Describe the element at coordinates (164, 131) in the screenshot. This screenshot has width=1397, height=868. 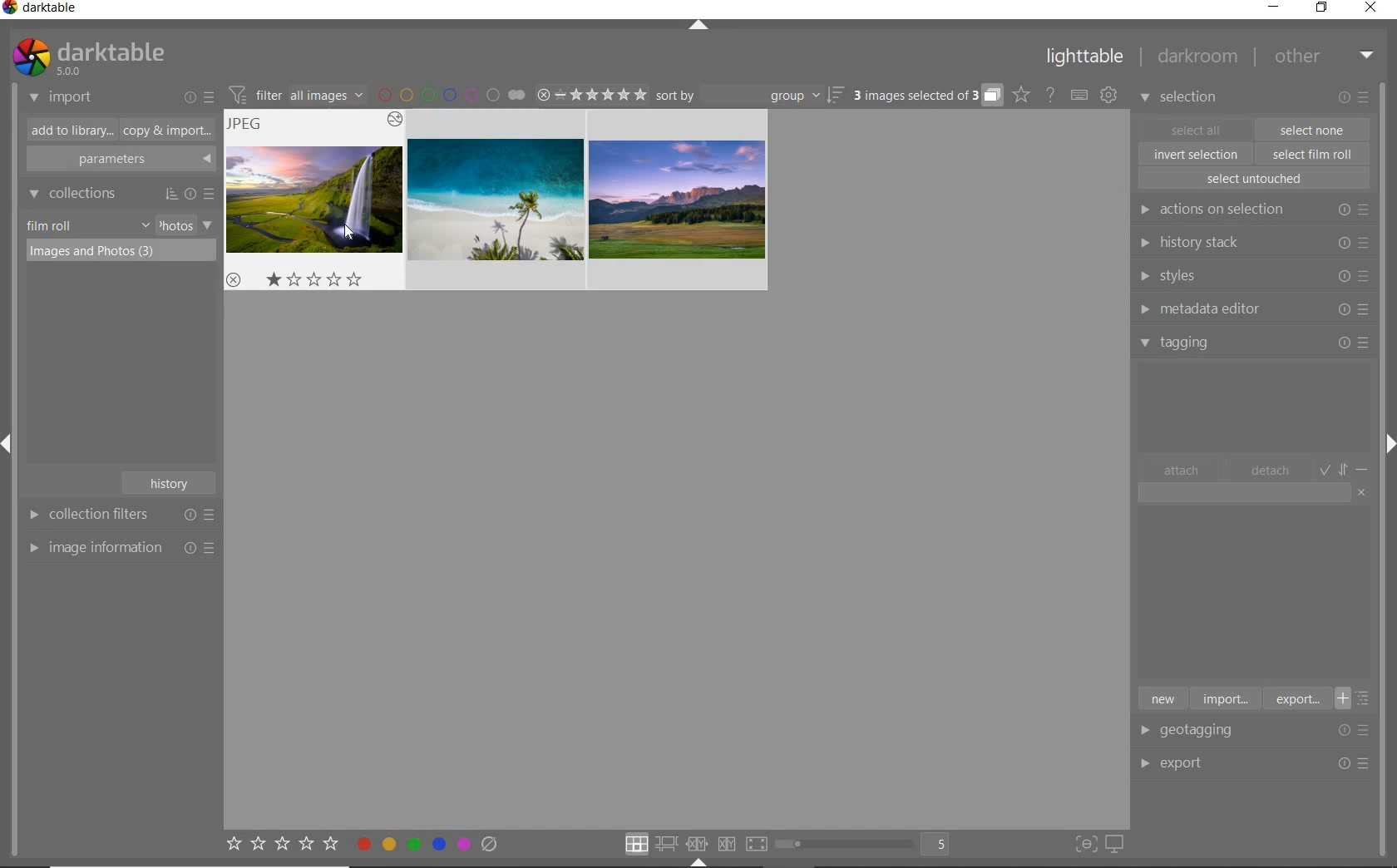
I see `copy & import` at that location.